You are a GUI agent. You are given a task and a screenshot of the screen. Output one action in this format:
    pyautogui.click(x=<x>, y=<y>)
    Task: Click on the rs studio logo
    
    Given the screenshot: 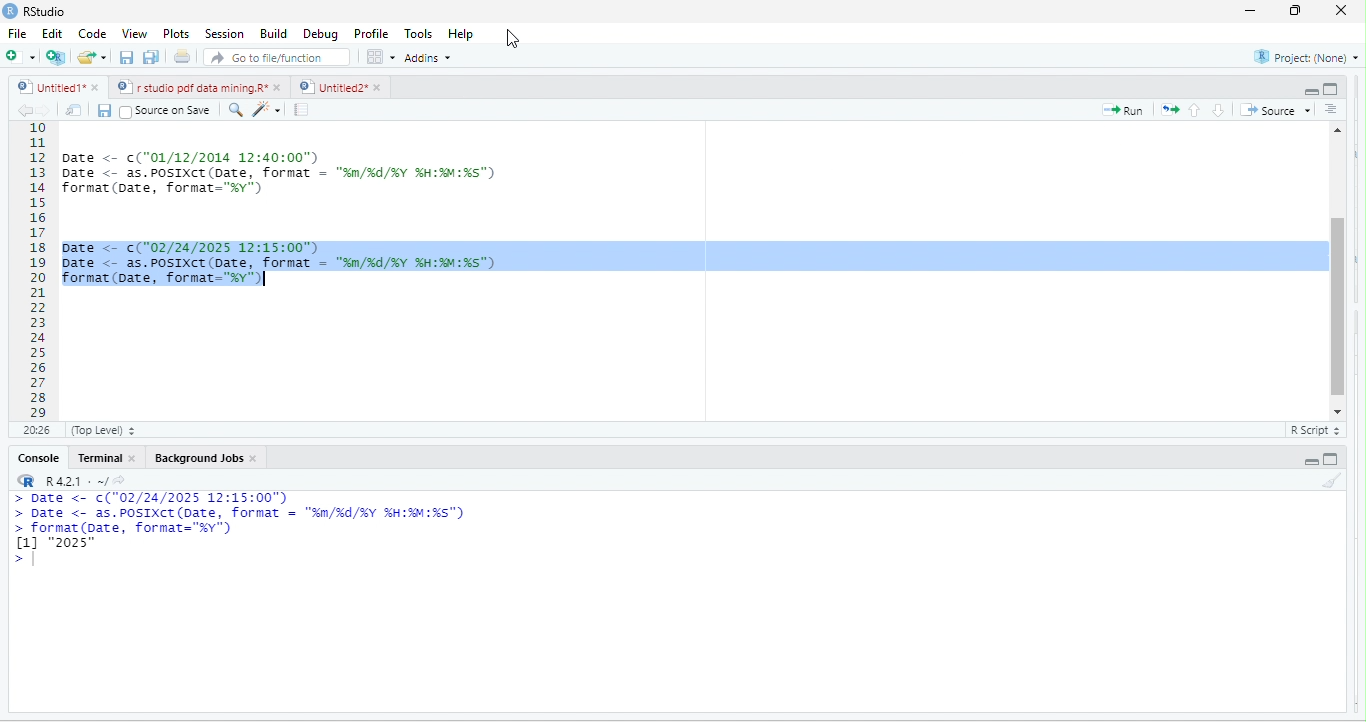 What is the action you would take?
    pyautogui.click(x=28, y=481)
    